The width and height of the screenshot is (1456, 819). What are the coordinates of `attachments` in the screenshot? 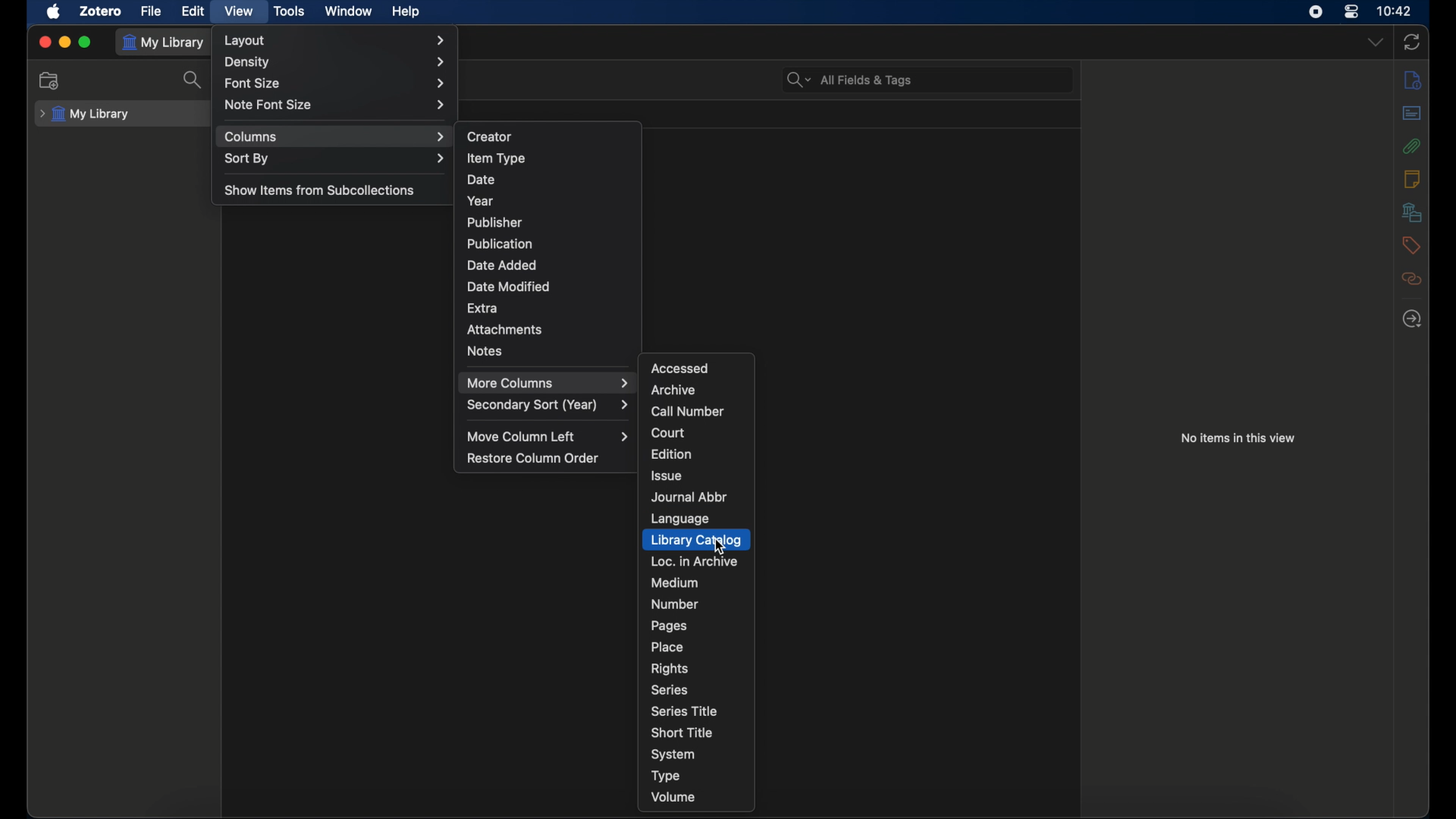 It's located at (504, 330).